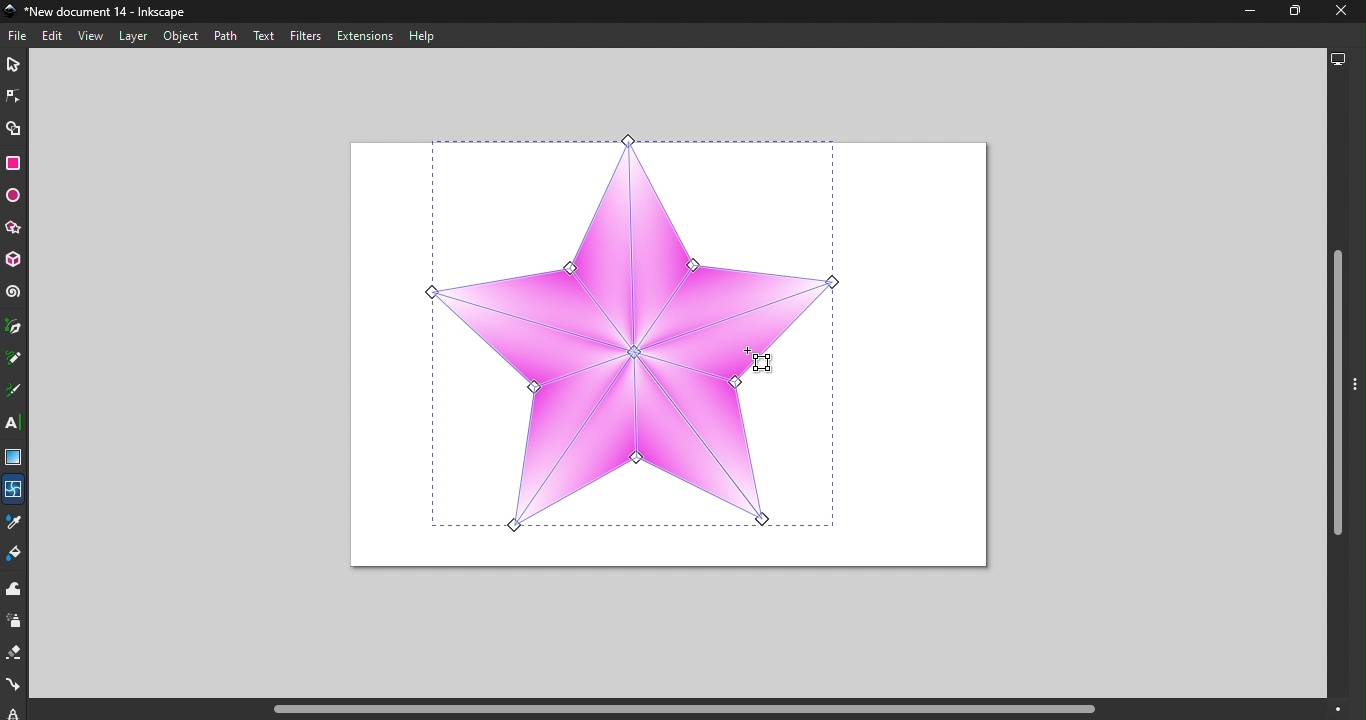 This screenshot has height=720, width=1366. Describe the element at coordinates (14, 361) in the screenshot. I see `Pencil tool` at that location.